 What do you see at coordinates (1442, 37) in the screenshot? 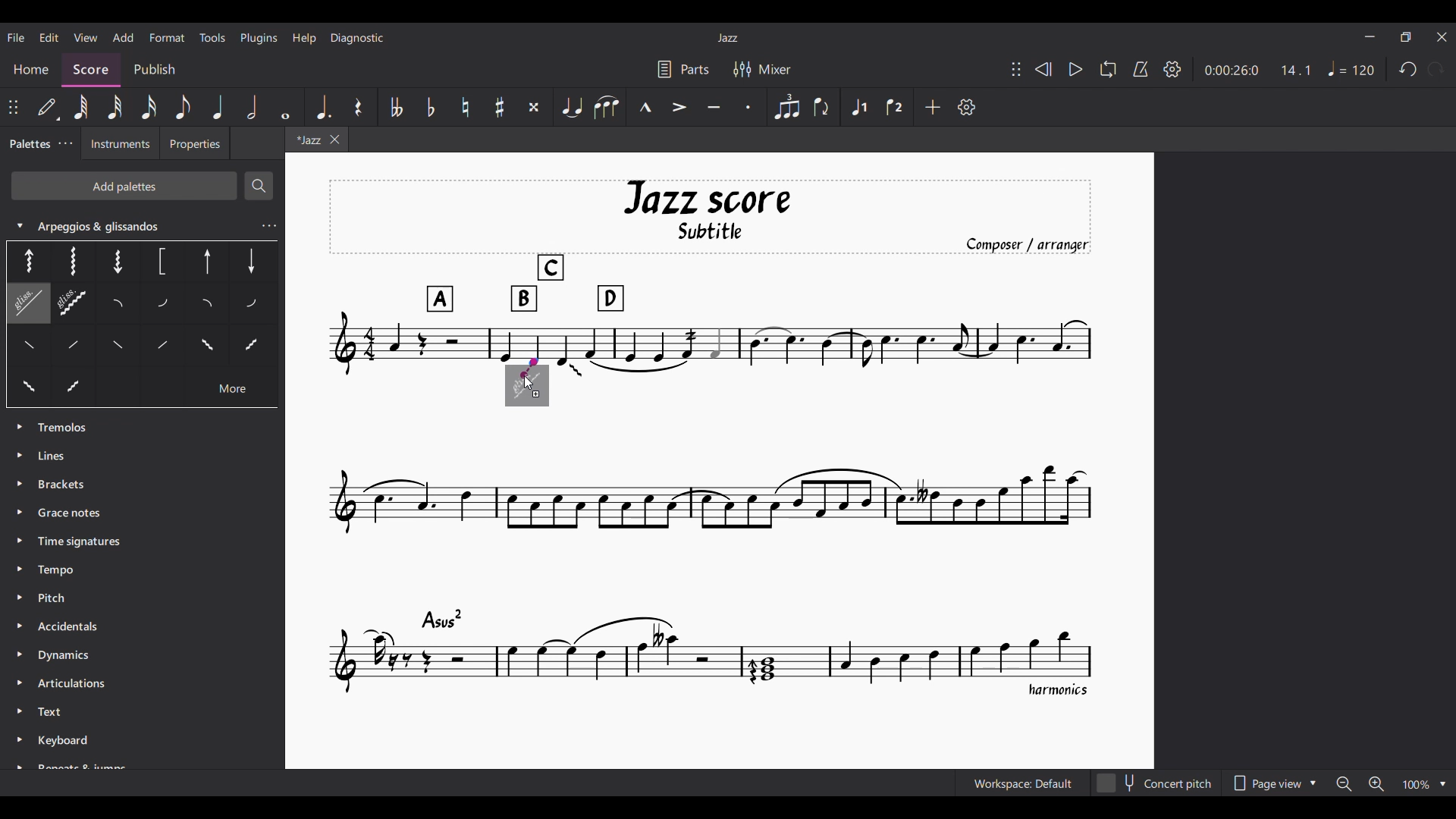
I see `Close interface` at bounding box center [1442, 37].